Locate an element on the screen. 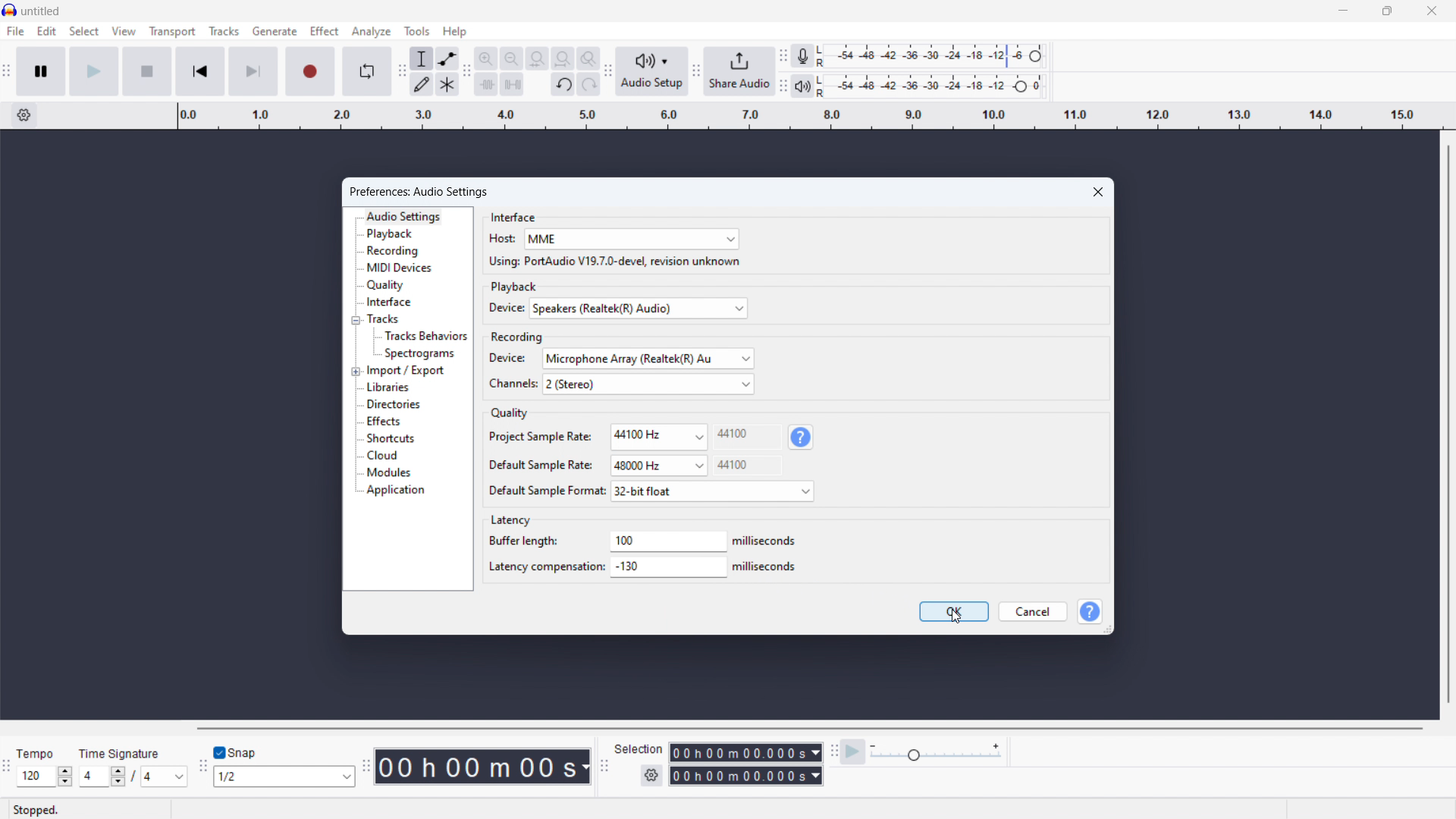 This screenshot has height=819, width=1456. transport toolbar is located at coordinates (6, 75).